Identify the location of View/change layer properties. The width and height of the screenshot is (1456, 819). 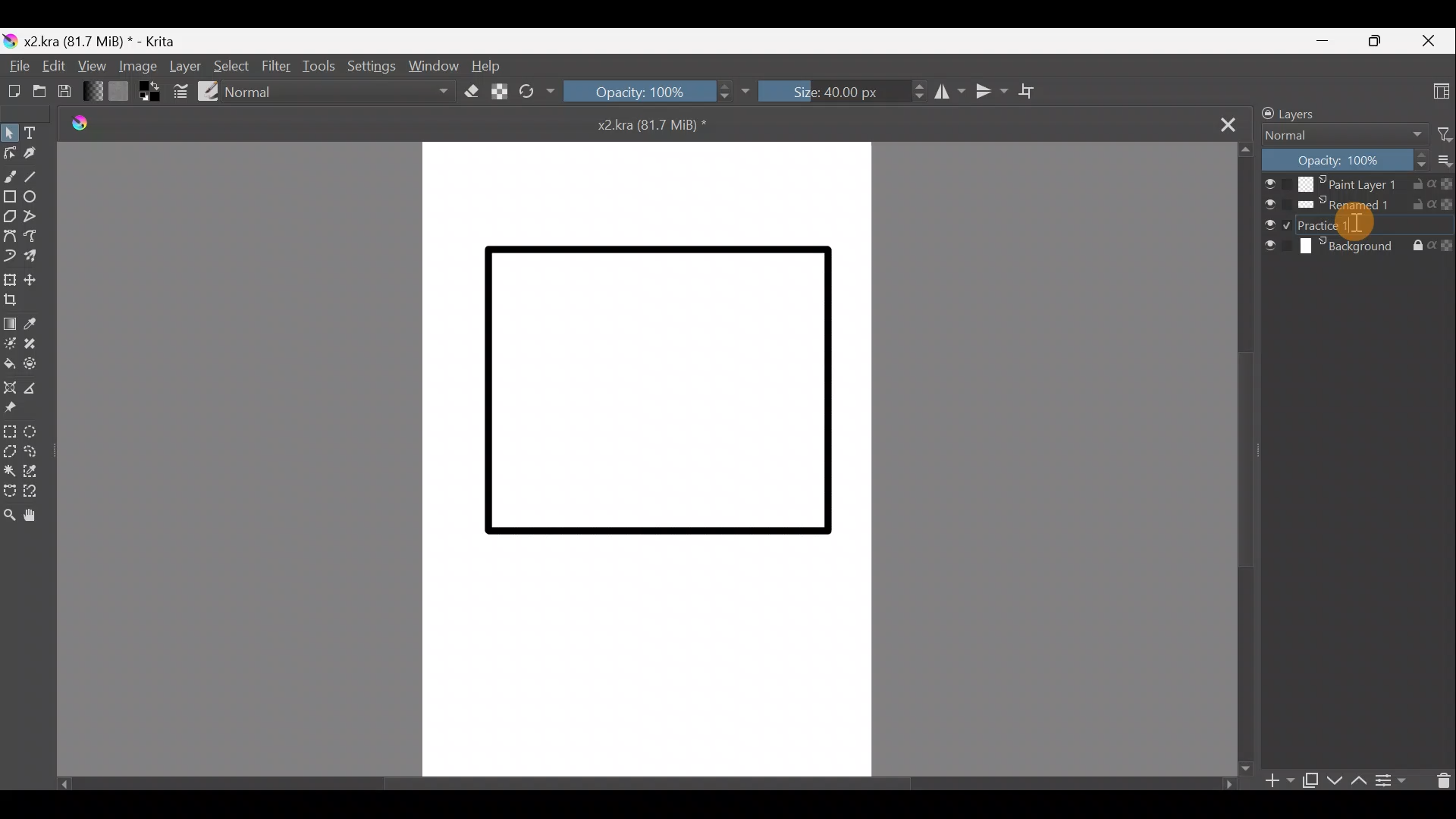
(1395, 779).